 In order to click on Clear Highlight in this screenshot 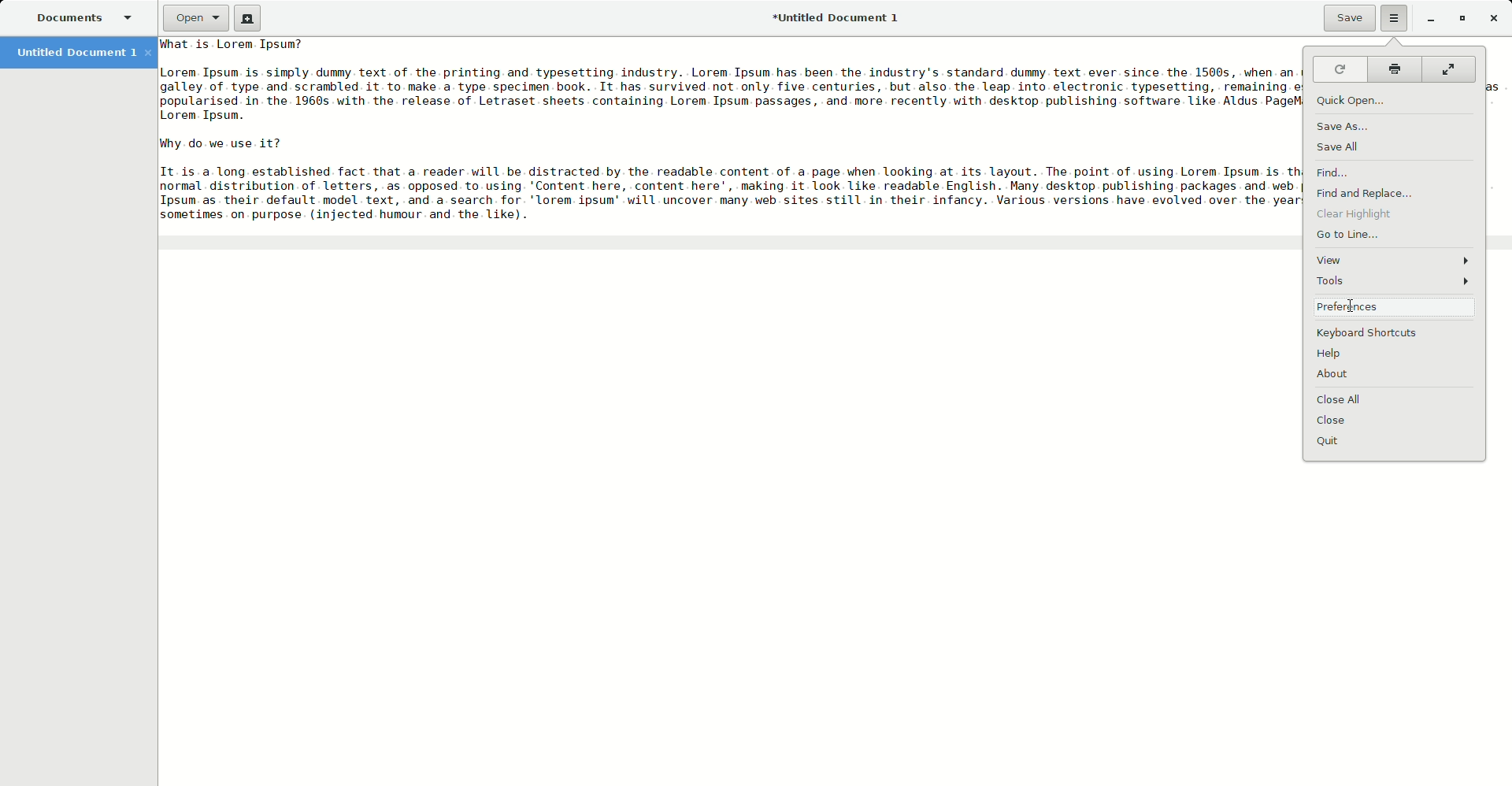, I will do `click(1358, 214)`.